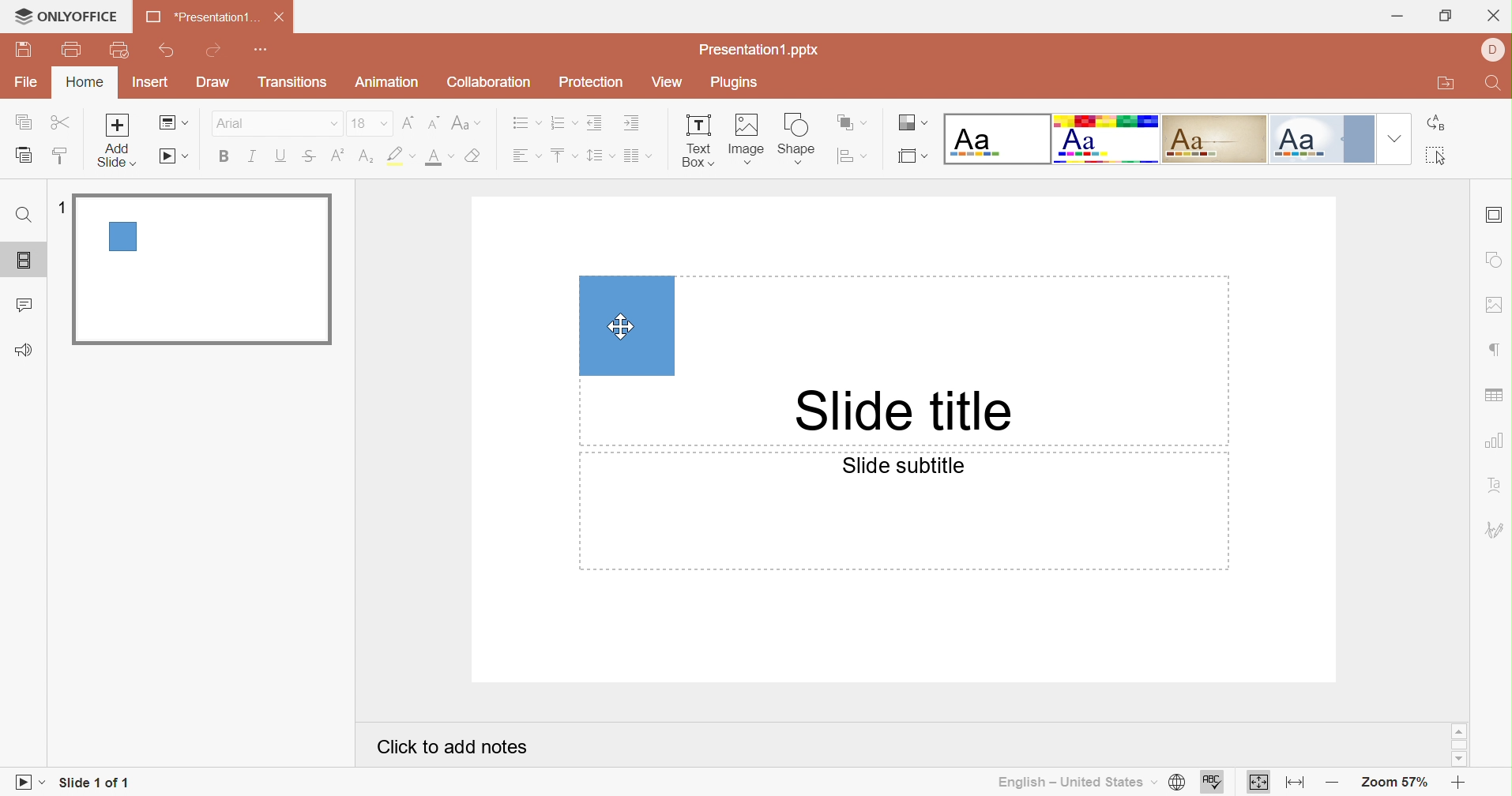  What do you see at coordinates (1494, 84) in the screenshot?
I see `Find` at bounding box center [1494, 84].